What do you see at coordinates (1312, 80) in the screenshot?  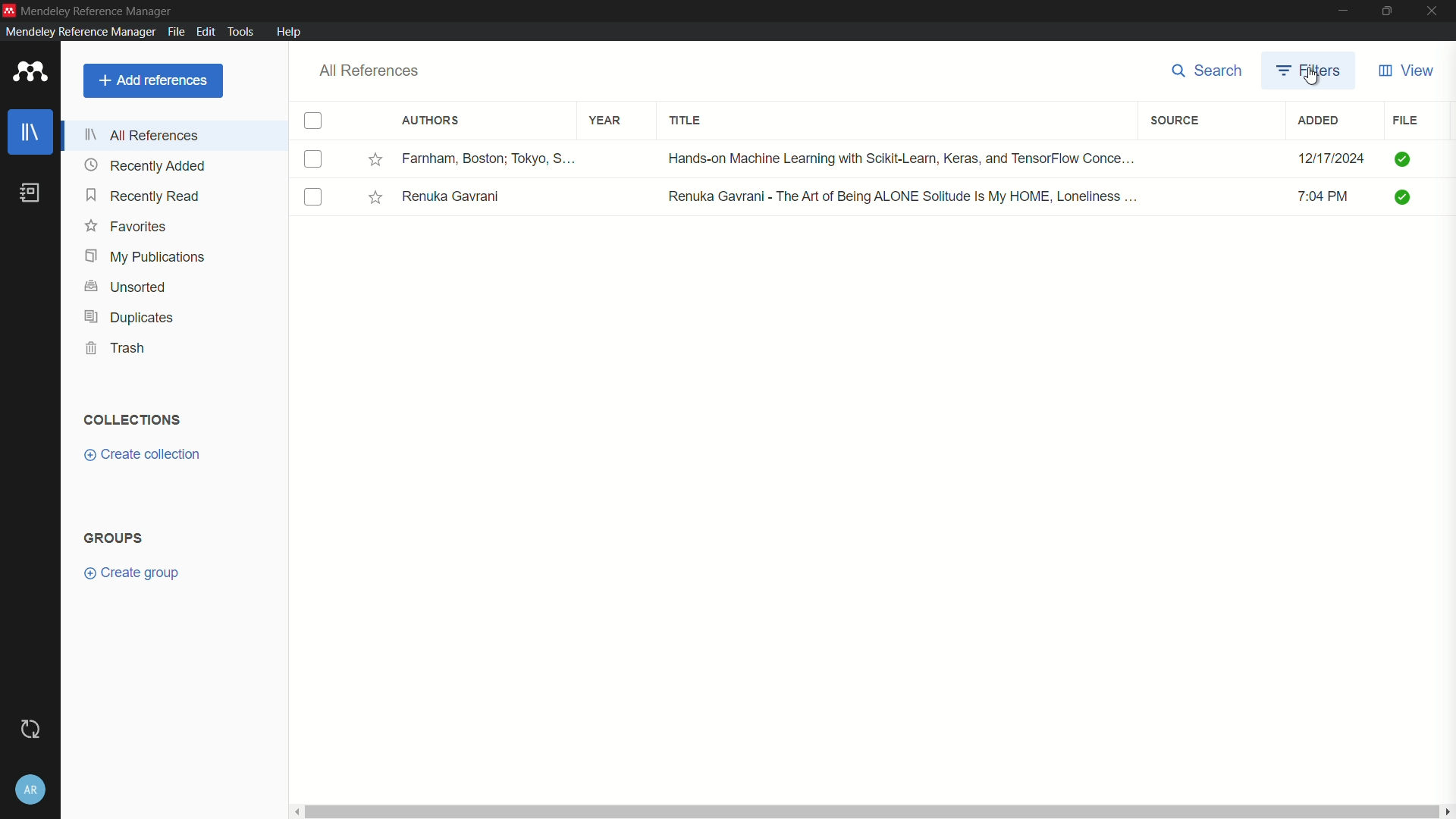 I see `cursor` at bounding box center [1312, 80].